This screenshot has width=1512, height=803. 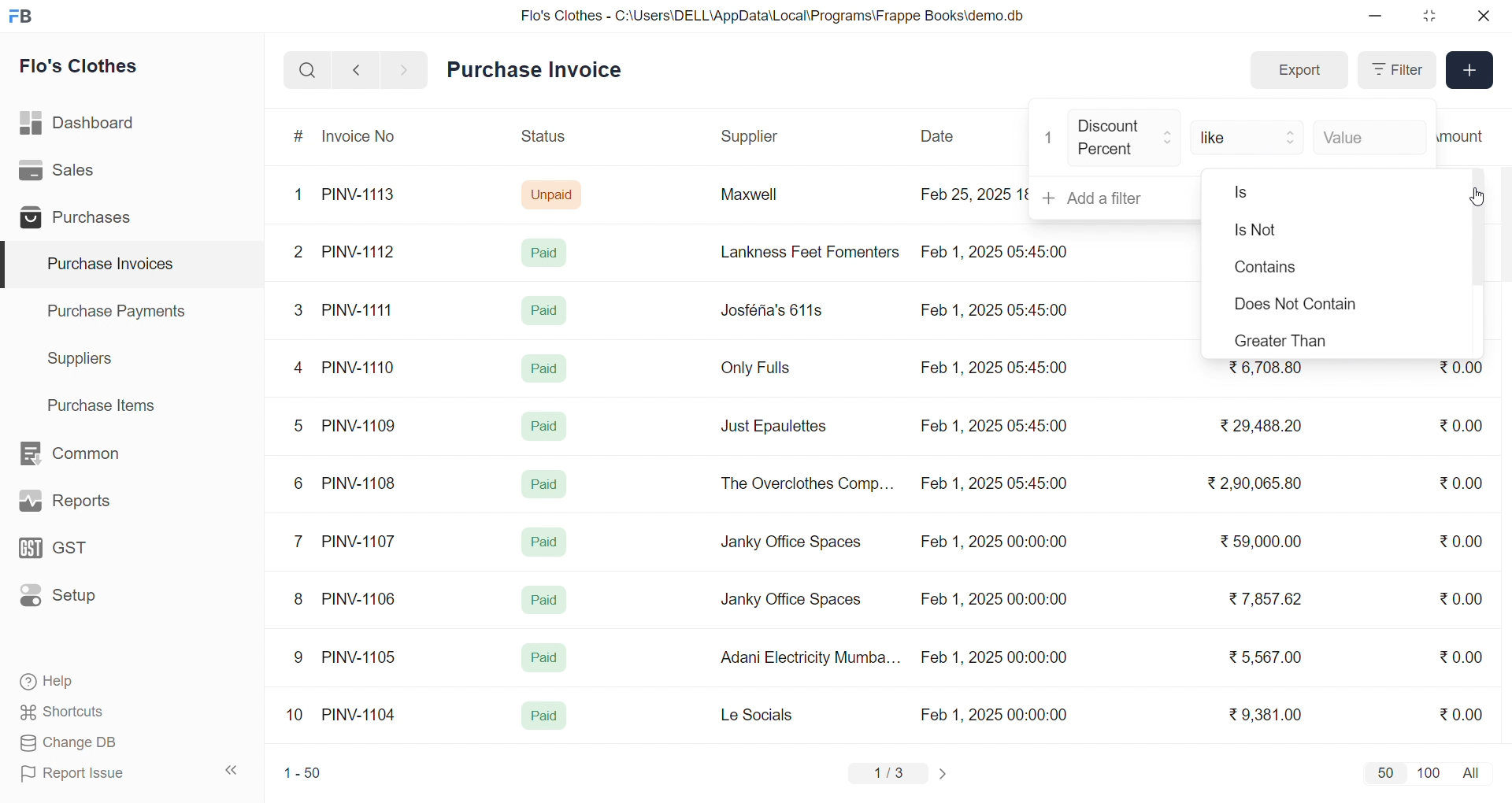 I want to click on Setup, so click(x=82, y=601).